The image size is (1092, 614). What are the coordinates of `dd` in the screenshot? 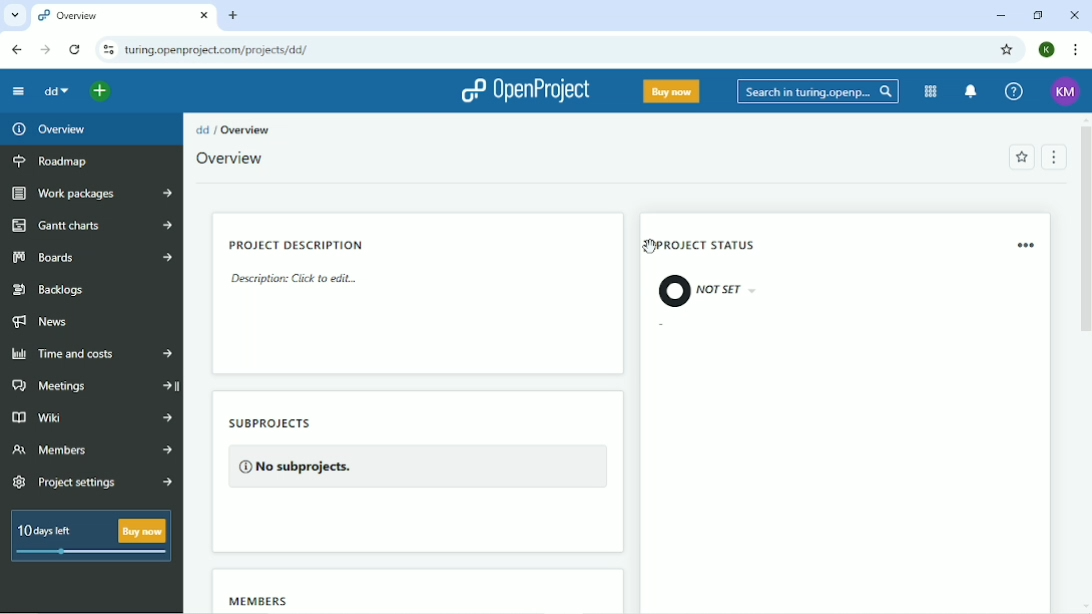 It's located at (203, 130).